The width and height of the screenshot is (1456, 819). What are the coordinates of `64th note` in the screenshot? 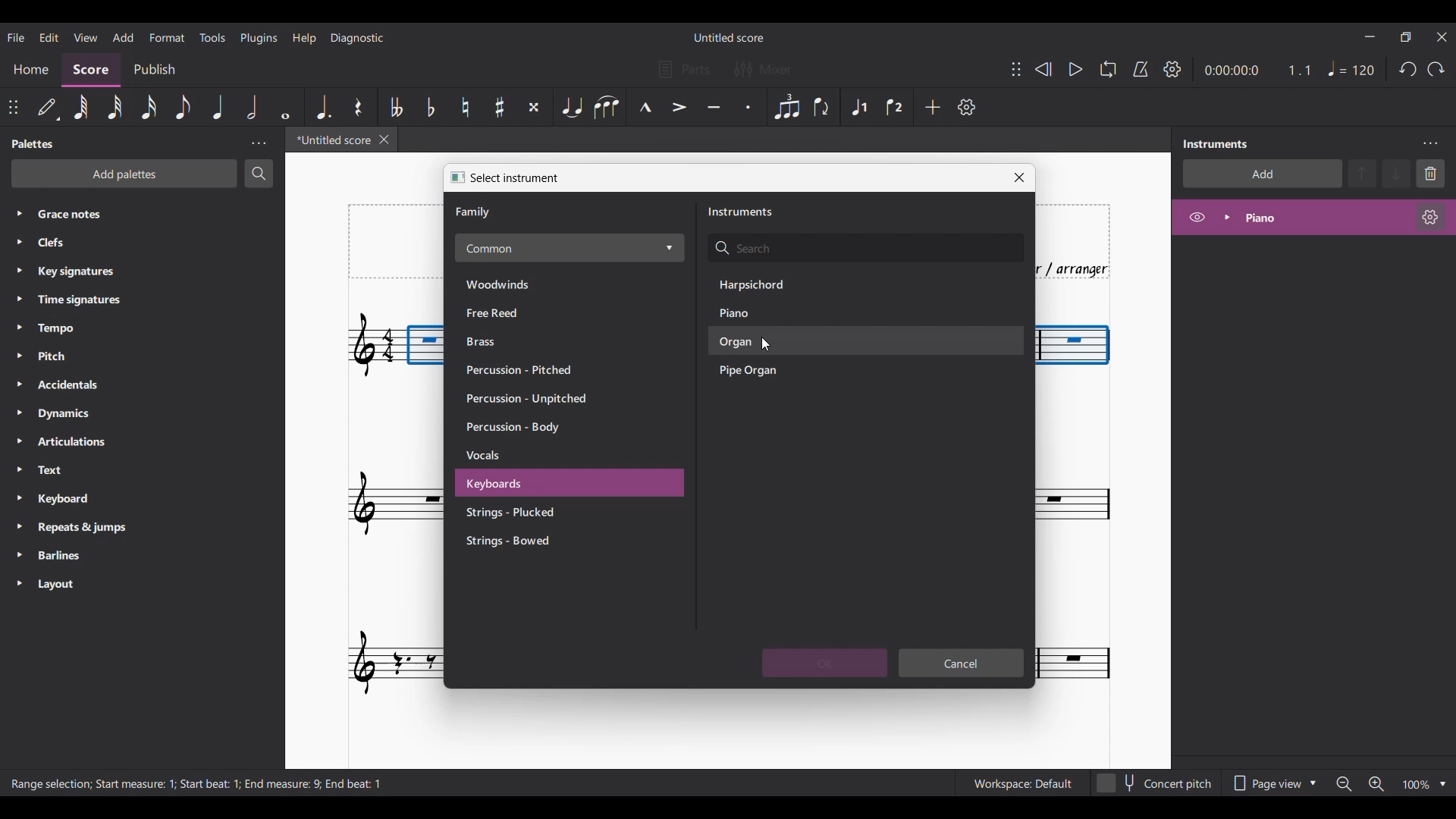 It's located at (81, 107).